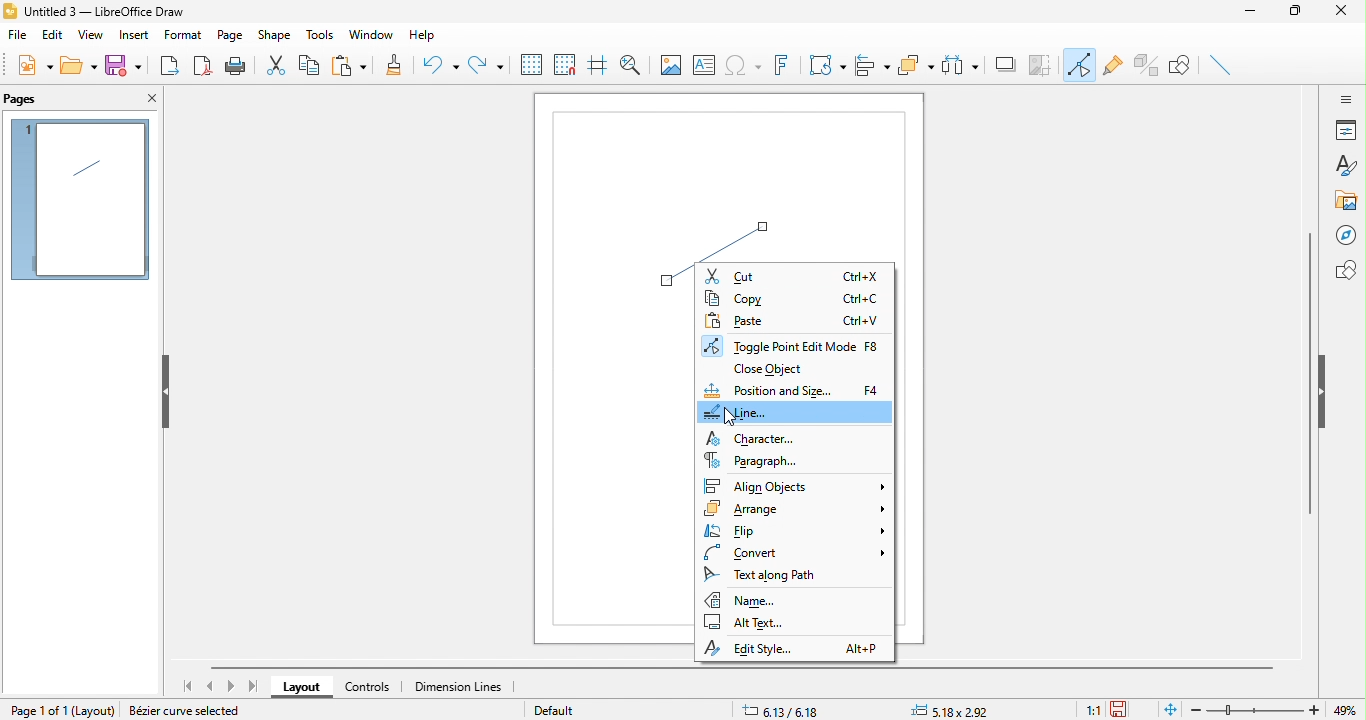 The height and width of the screenshot is (720, 1366). Describe the element at coordinates (774, 368) in the screenshot. I see `close object` at that location.